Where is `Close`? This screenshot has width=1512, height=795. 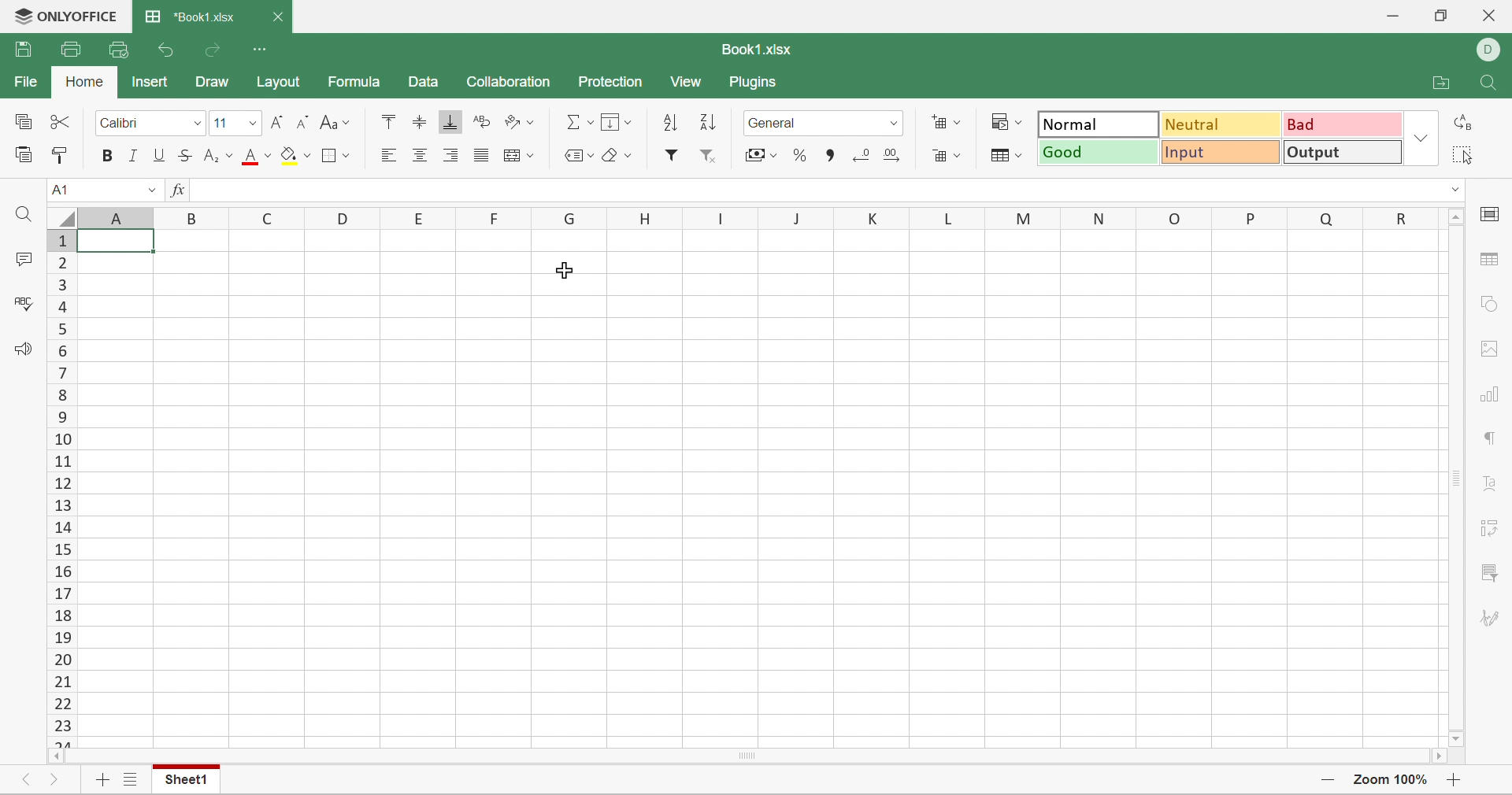
Close is located at coordinates (279, 18).